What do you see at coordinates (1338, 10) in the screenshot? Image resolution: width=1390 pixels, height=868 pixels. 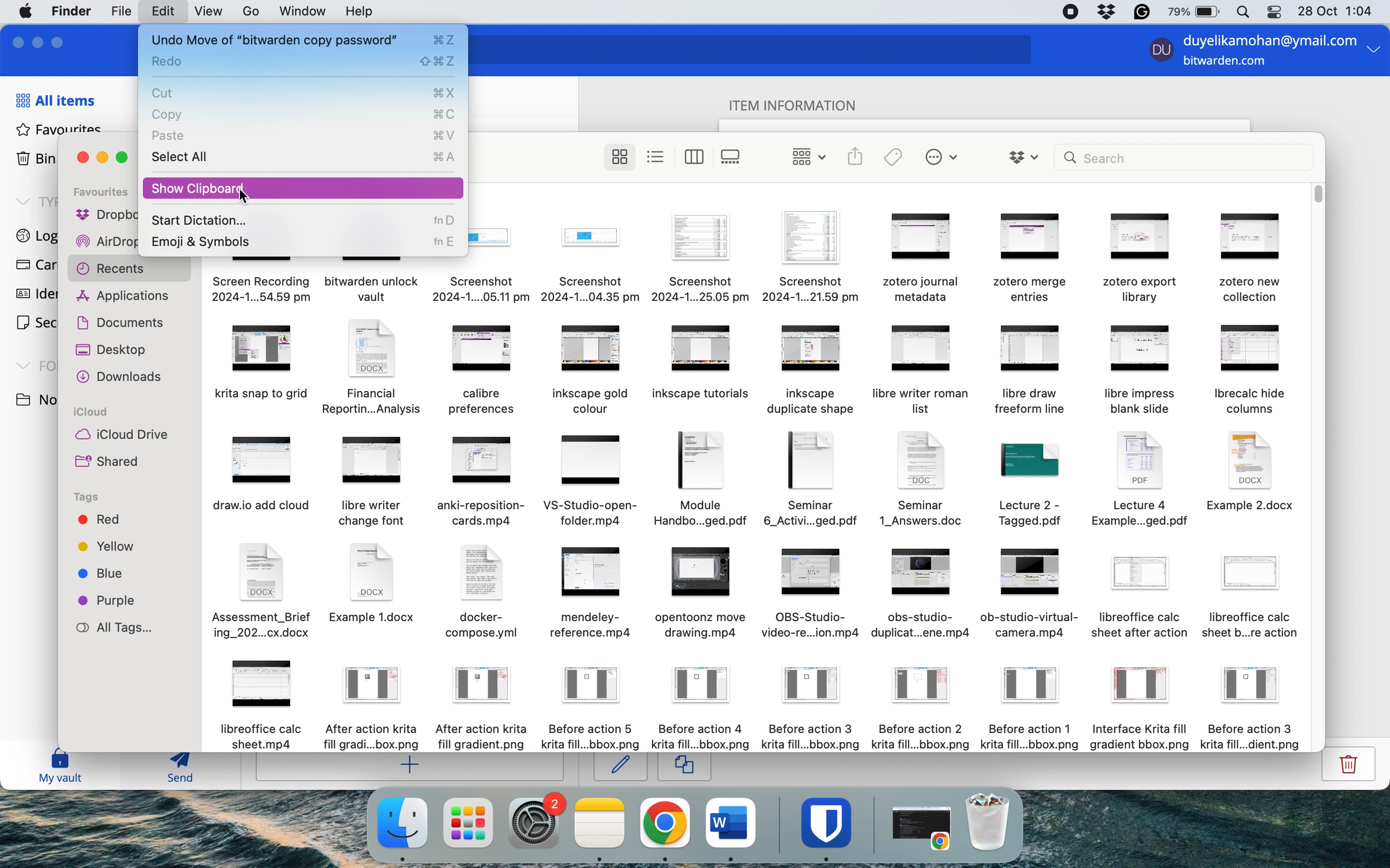 I see `date and time` at bounding box center [1338, 10].